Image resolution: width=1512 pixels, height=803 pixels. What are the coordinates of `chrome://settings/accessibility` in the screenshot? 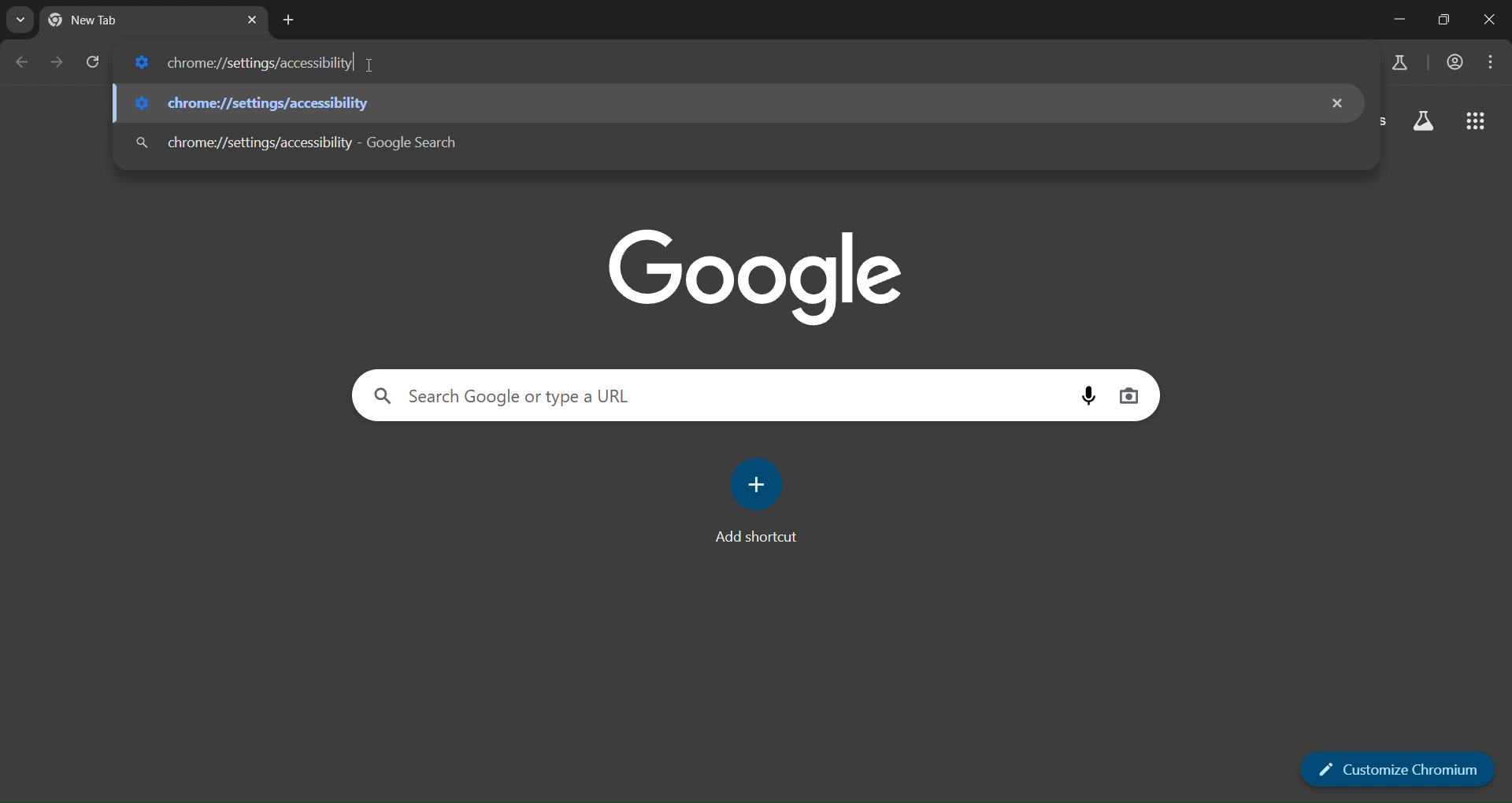 It's located at (289, 103).